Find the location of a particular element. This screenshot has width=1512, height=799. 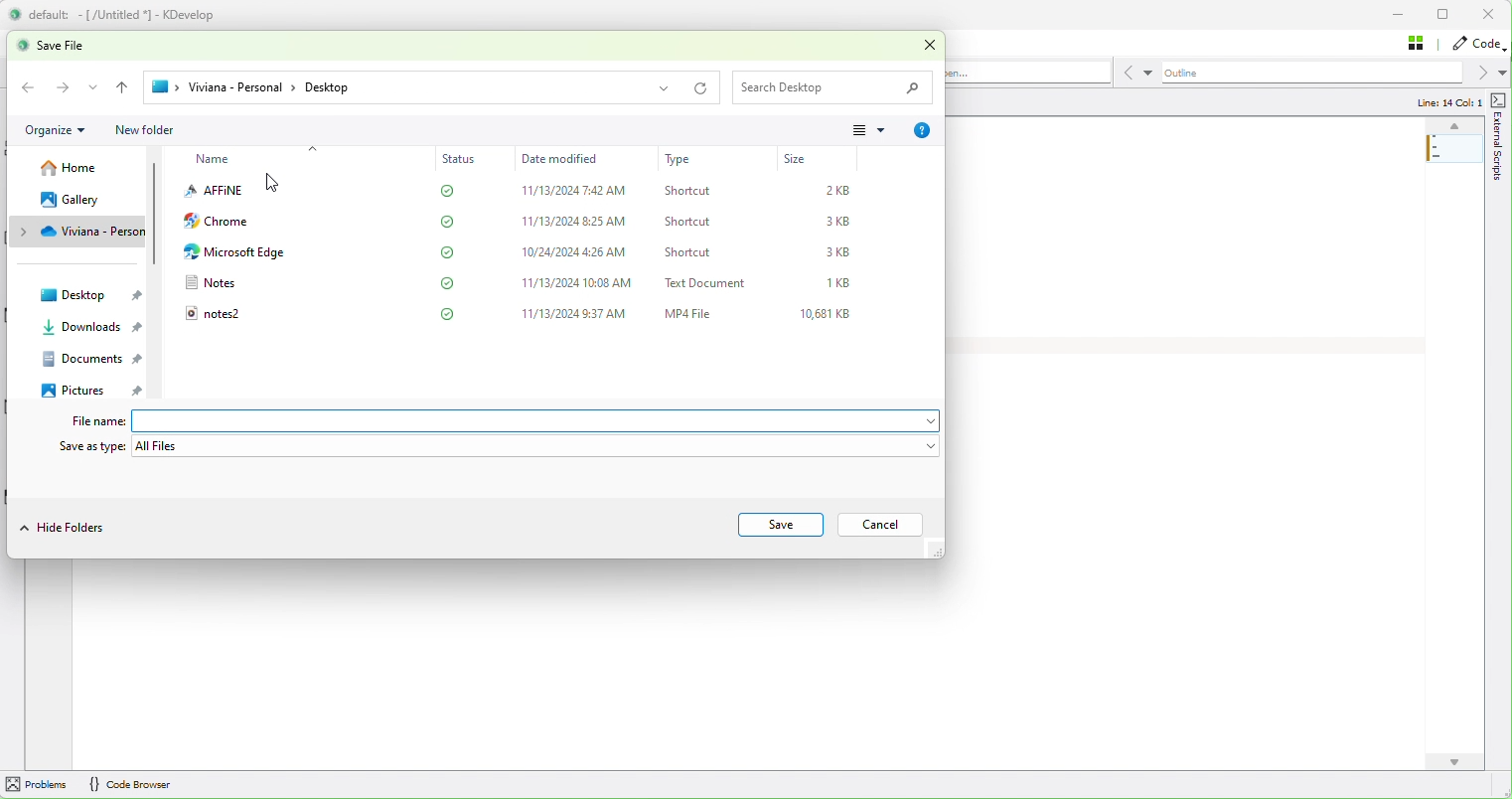

Close is located at coordinates (1487, 15).